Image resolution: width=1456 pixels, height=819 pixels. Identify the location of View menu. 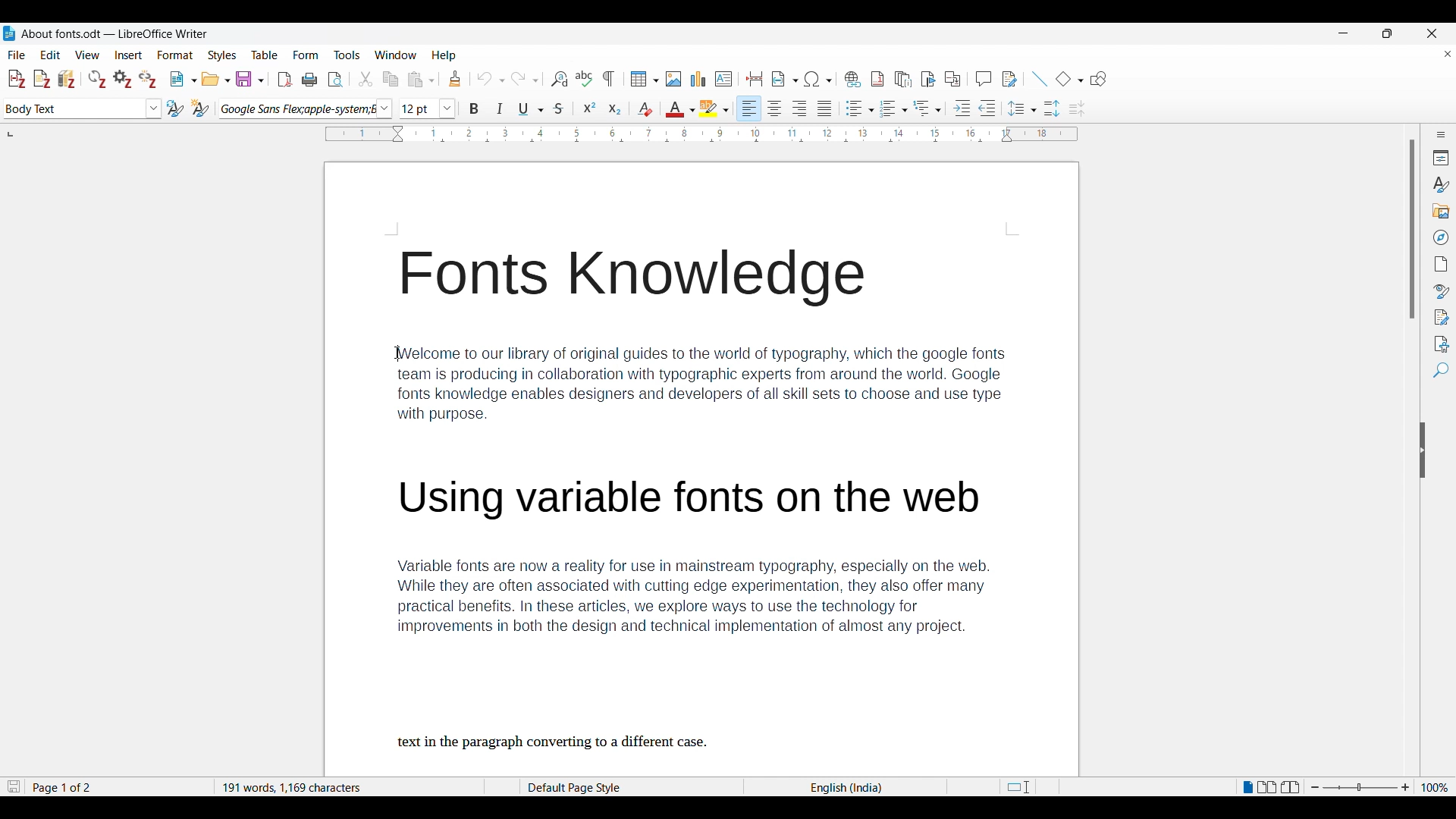
(88, 55).